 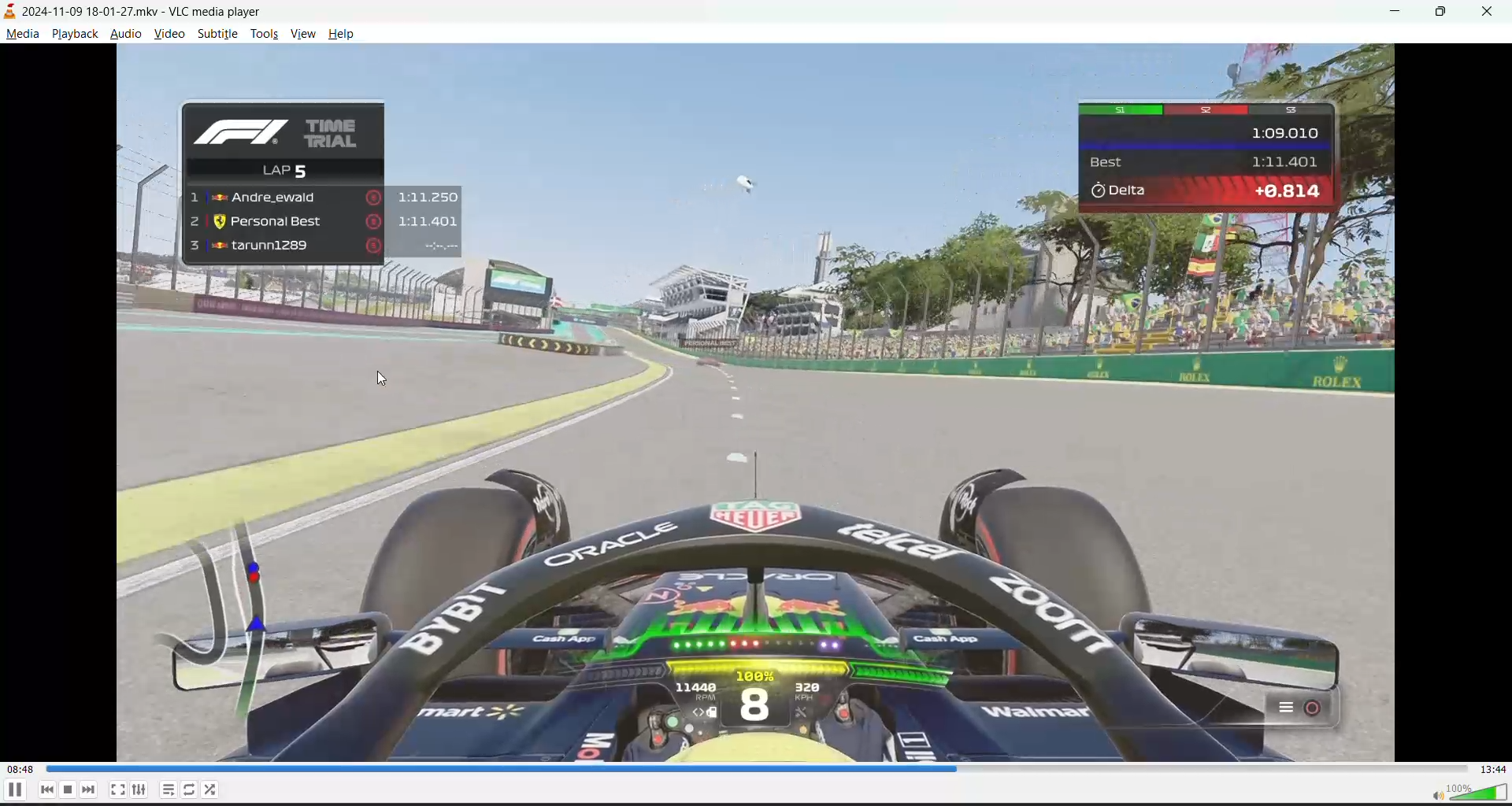 What do you see at coordinates (1445, 11) in the screenshot?
I see `maximize` at bounding box center [1445, 11].